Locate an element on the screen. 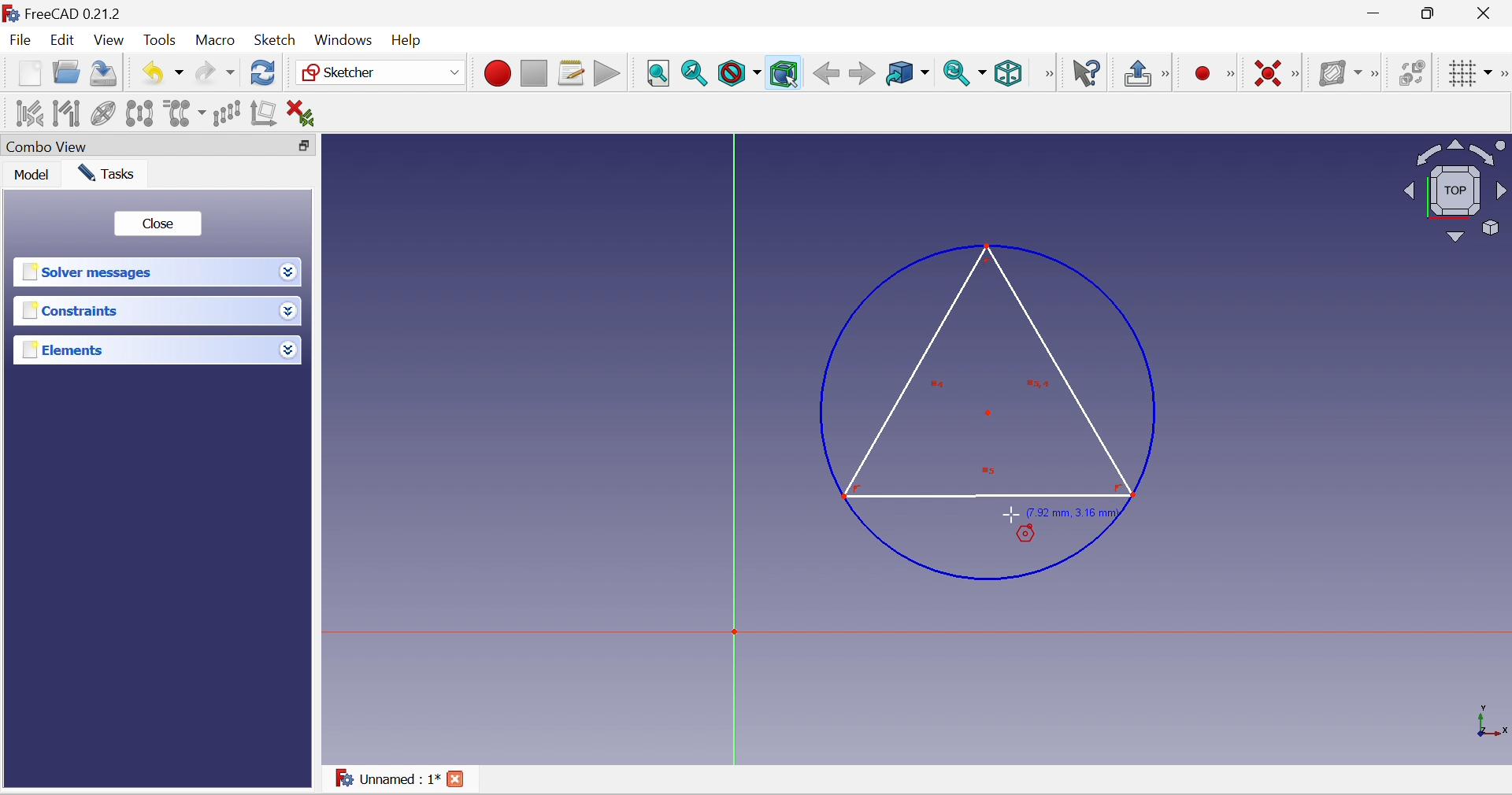  New is located at coordinates (29, 73).